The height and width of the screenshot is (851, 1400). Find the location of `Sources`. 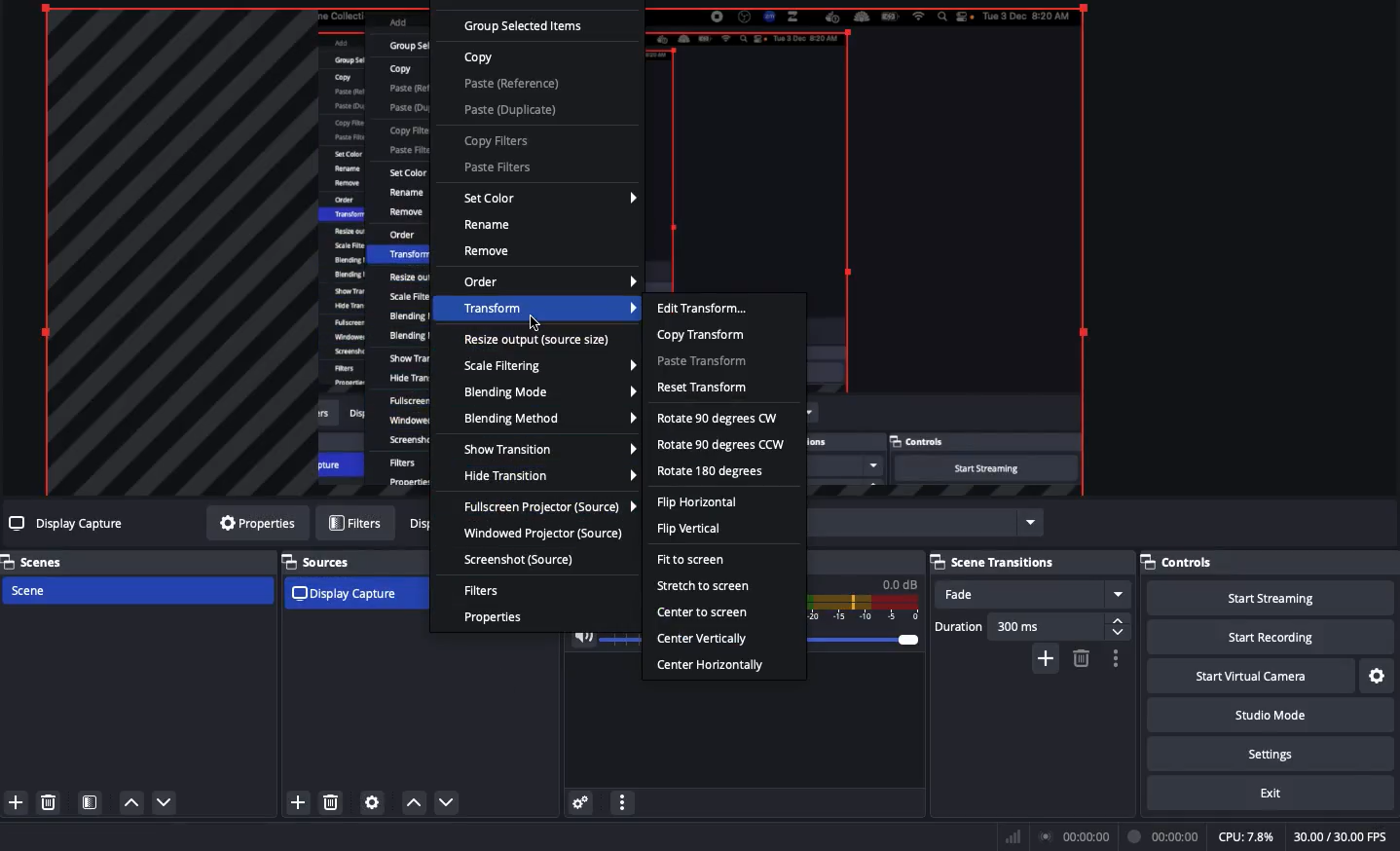

Sources is located at coordinates (323, 561).